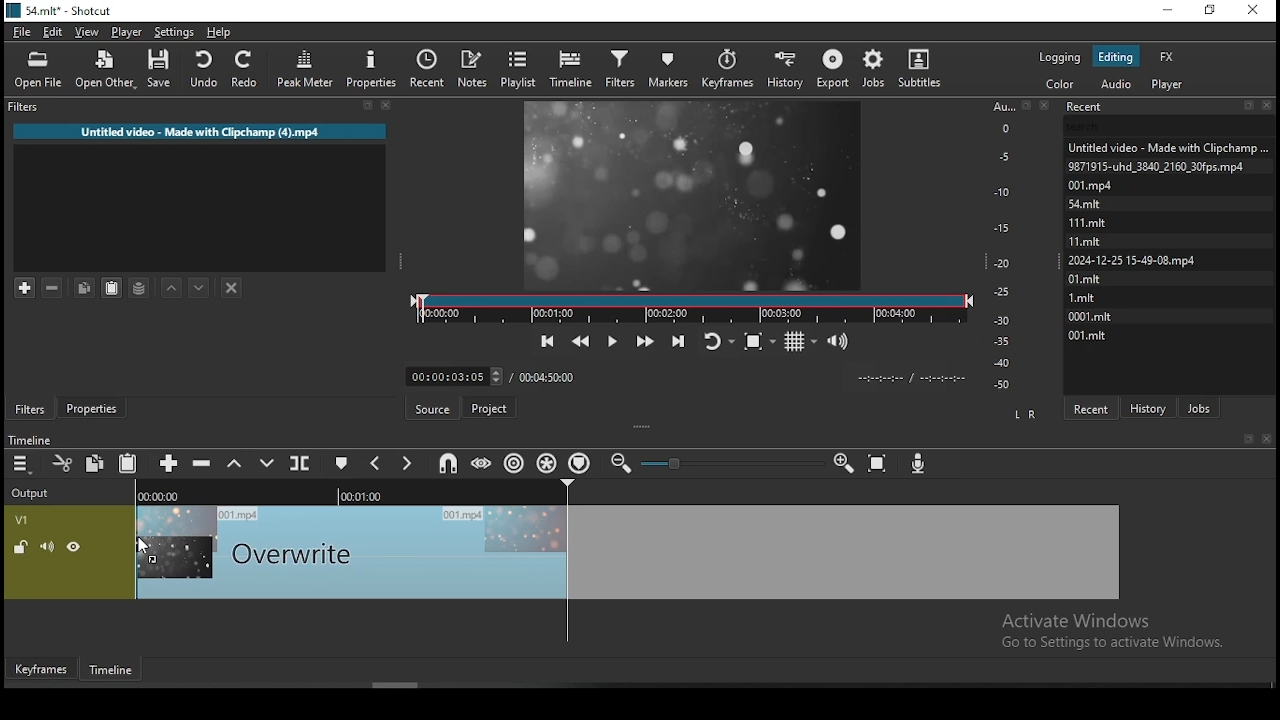 The width and height of the screenshot is (1280, 720). What do you see at coordinates (692, 309) in the screenshot?
I see `playback progress bar` at bounding box center [692, 309].